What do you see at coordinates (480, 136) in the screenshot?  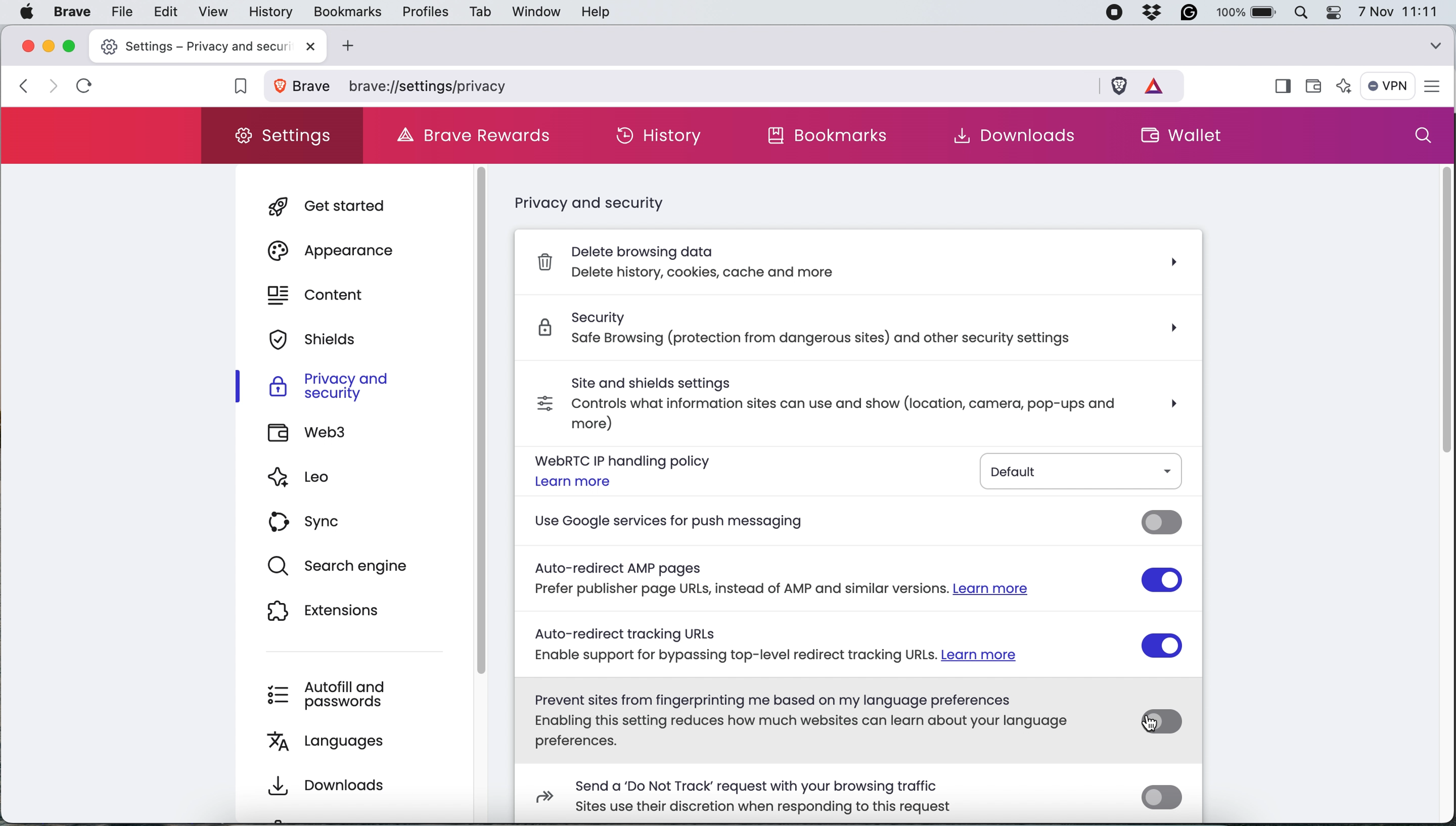 I see `brave rewards` at bounding box center [480, 136].